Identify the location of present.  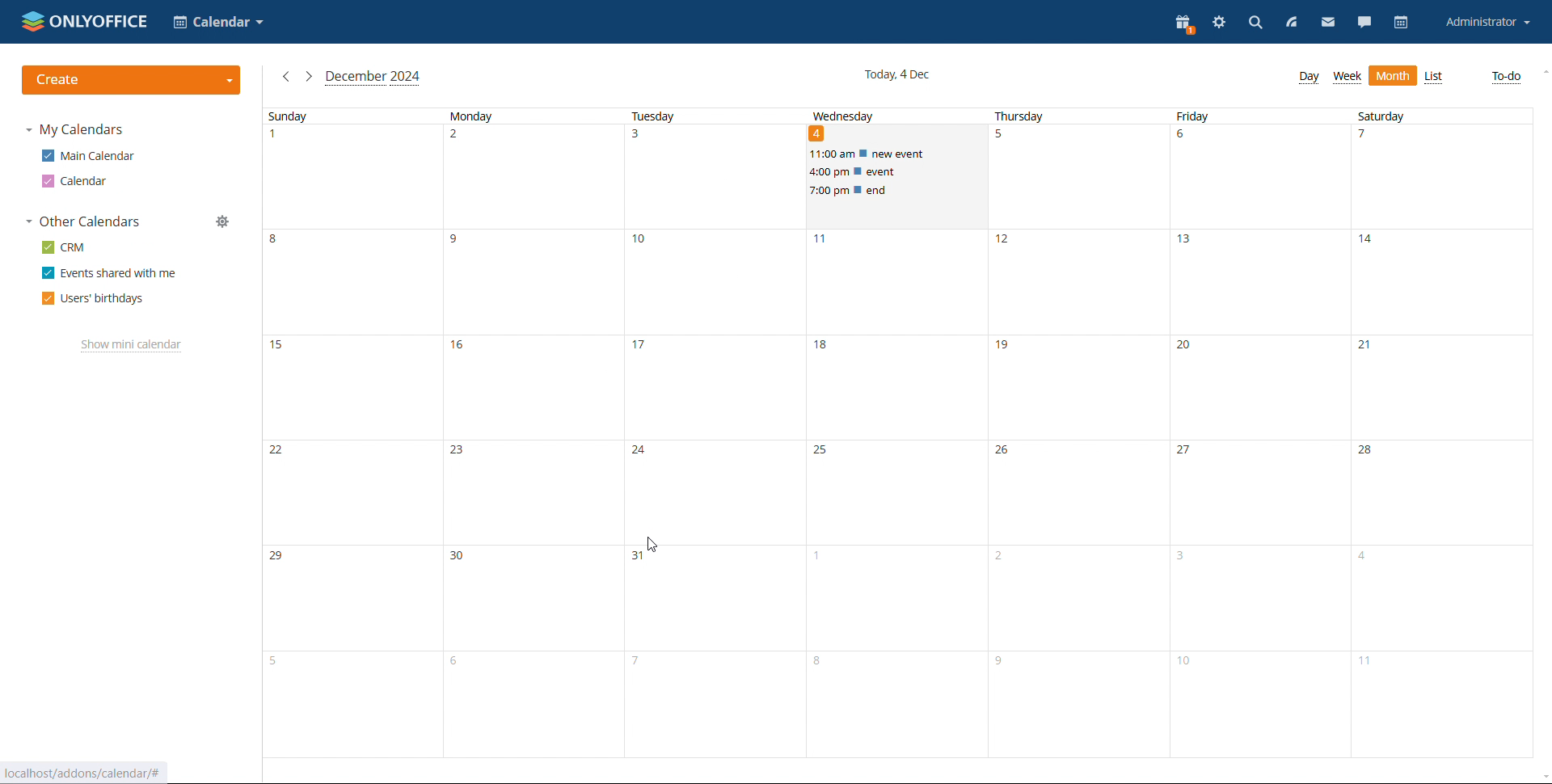
(1183, 24).